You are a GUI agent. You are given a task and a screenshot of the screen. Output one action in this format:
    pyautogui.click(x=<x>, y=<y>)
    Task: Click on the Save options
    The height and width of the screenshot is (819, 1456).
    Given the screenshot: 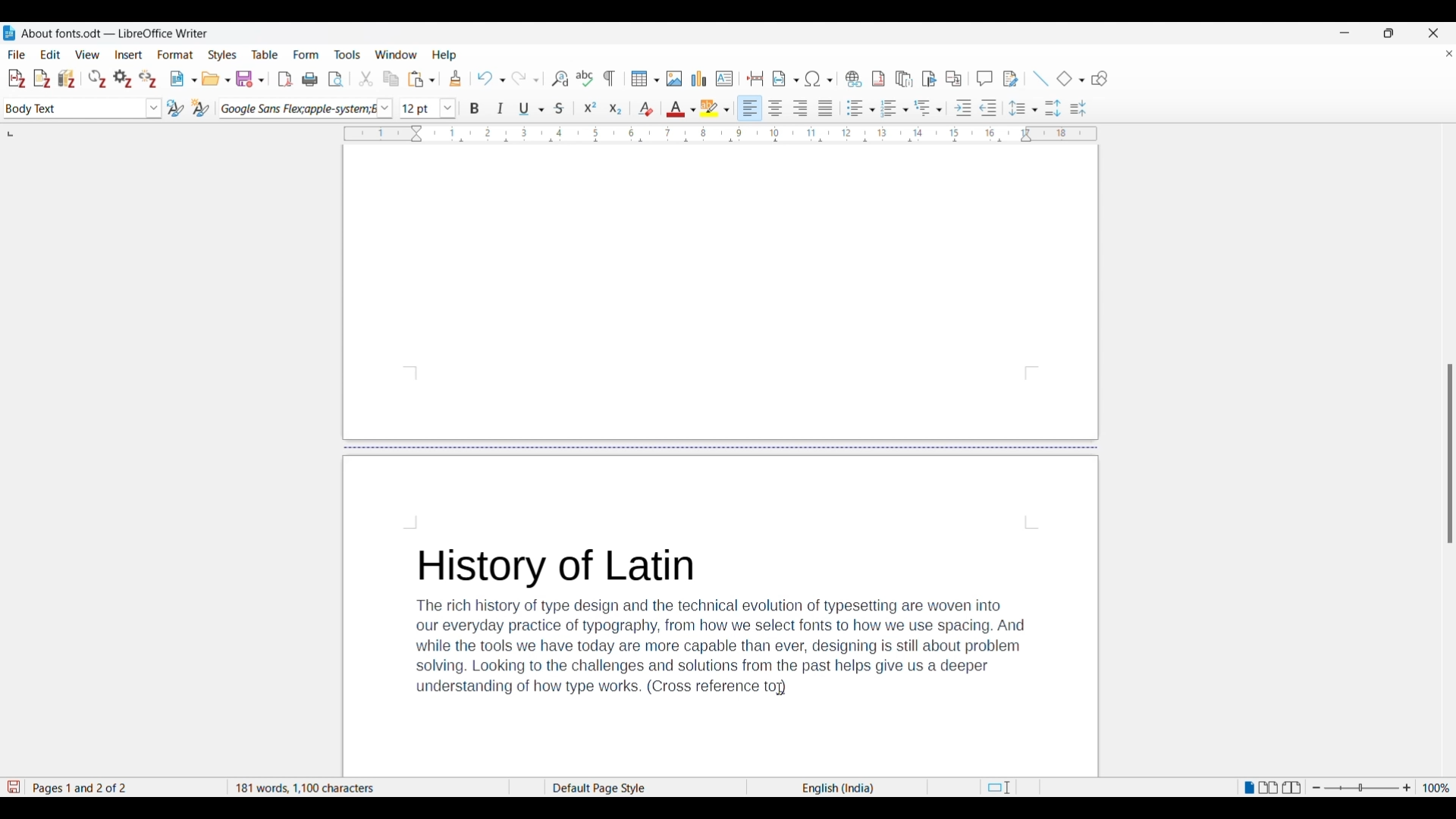 What is the action you would take?
    pyautogui.click(x=250, y=79)
    